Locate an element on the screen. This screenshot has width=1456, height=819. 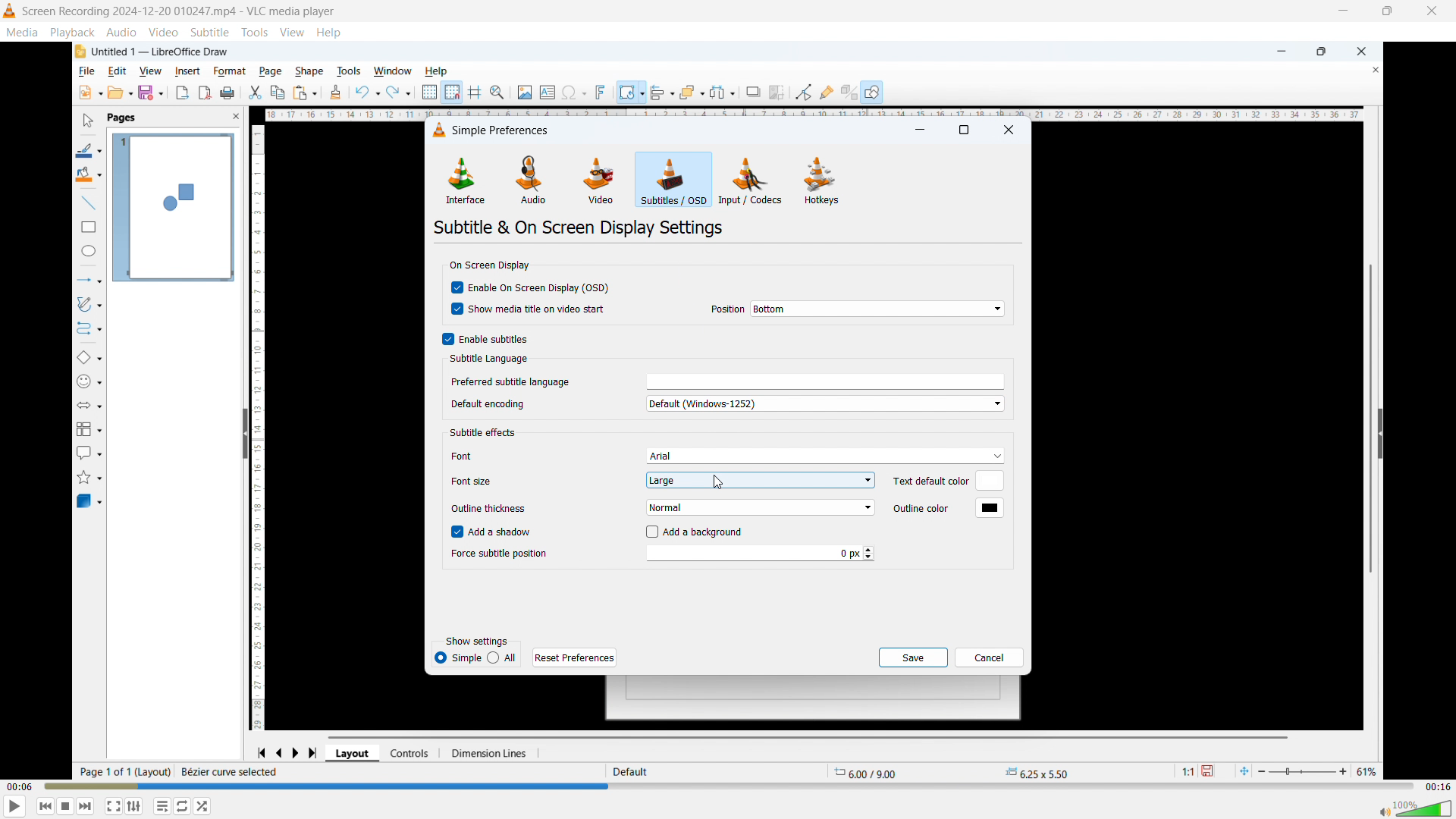
Font size is located at coordinates (471, 481).